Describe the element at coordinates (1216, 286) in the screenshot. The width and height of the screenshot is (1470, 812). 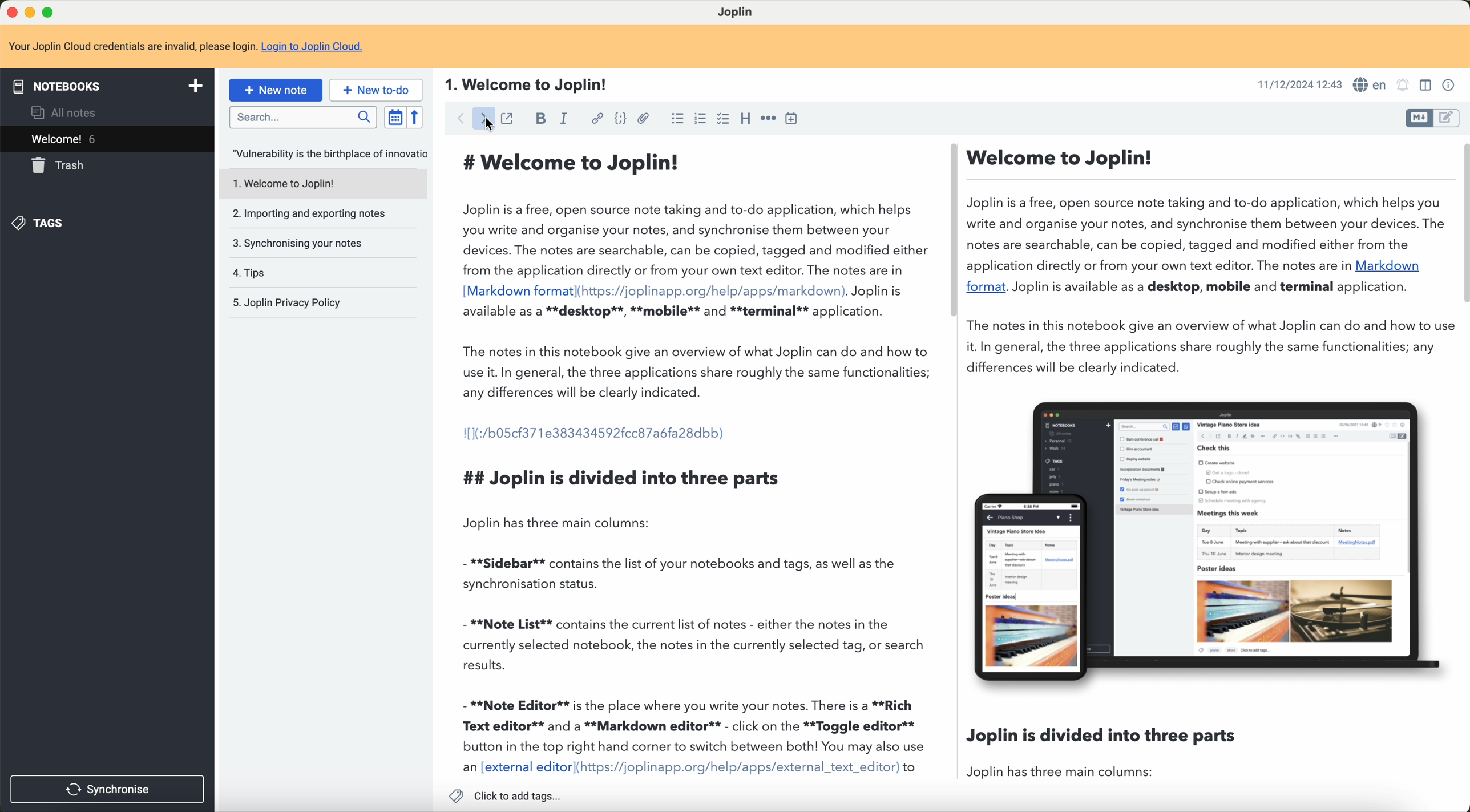
I see `Joplin is available as a desktop, mobile and terminal application.` at that location.